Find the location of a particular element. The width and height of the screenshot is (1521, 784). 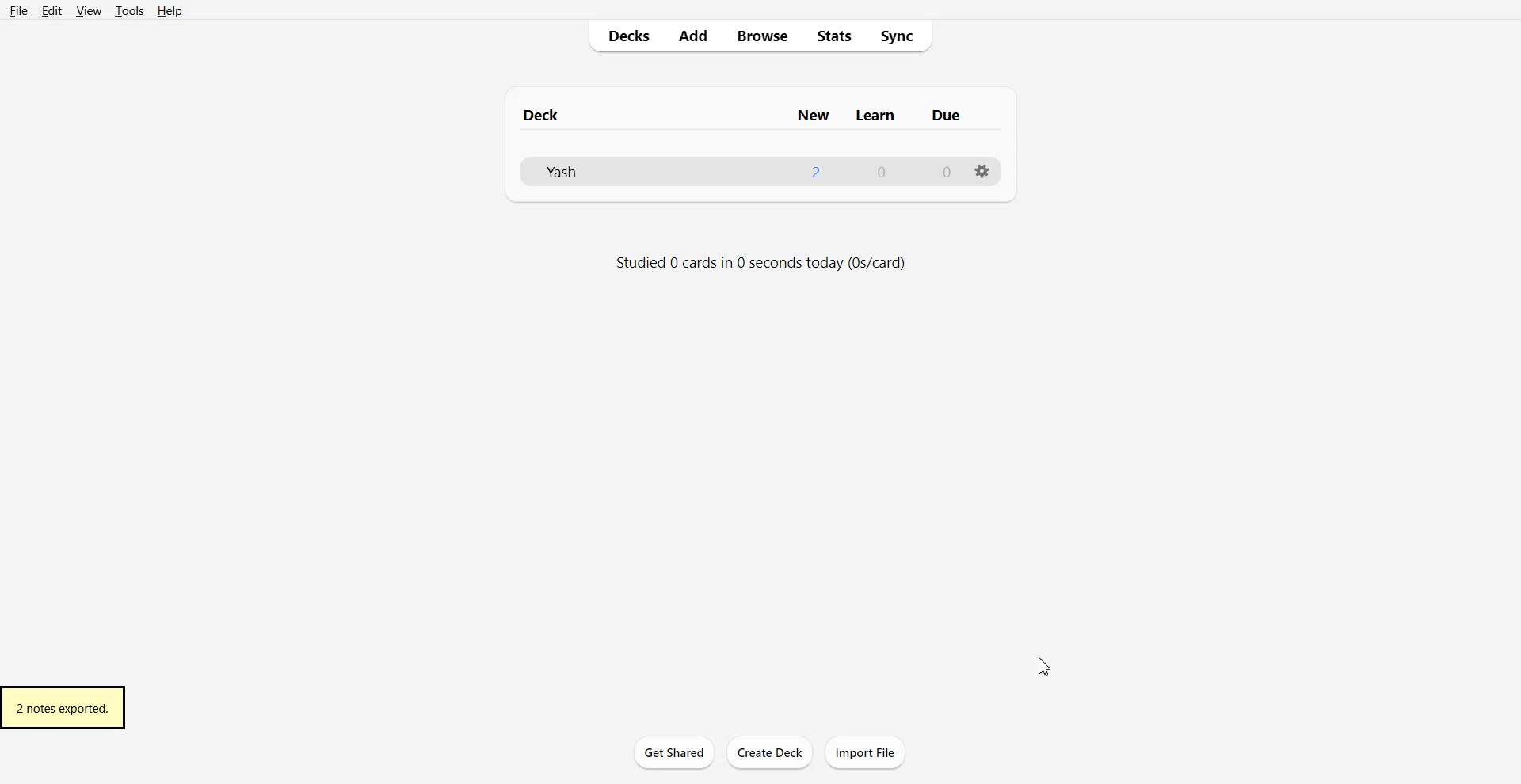

Edit is located at coordinates (54, 11).